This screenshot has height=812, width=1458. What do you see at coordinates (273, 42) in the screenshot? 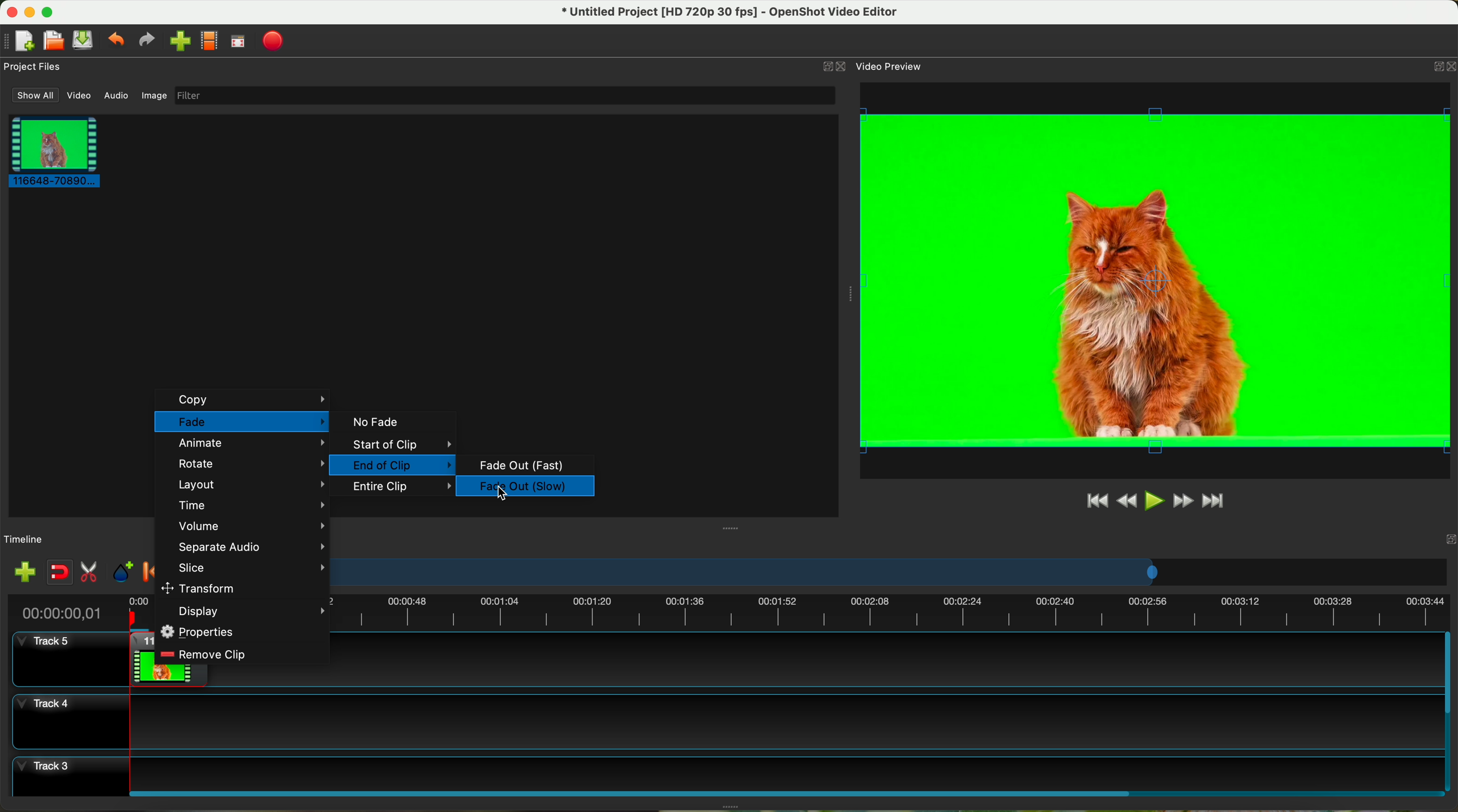
I see `export video` at bounding box center [273, 42].